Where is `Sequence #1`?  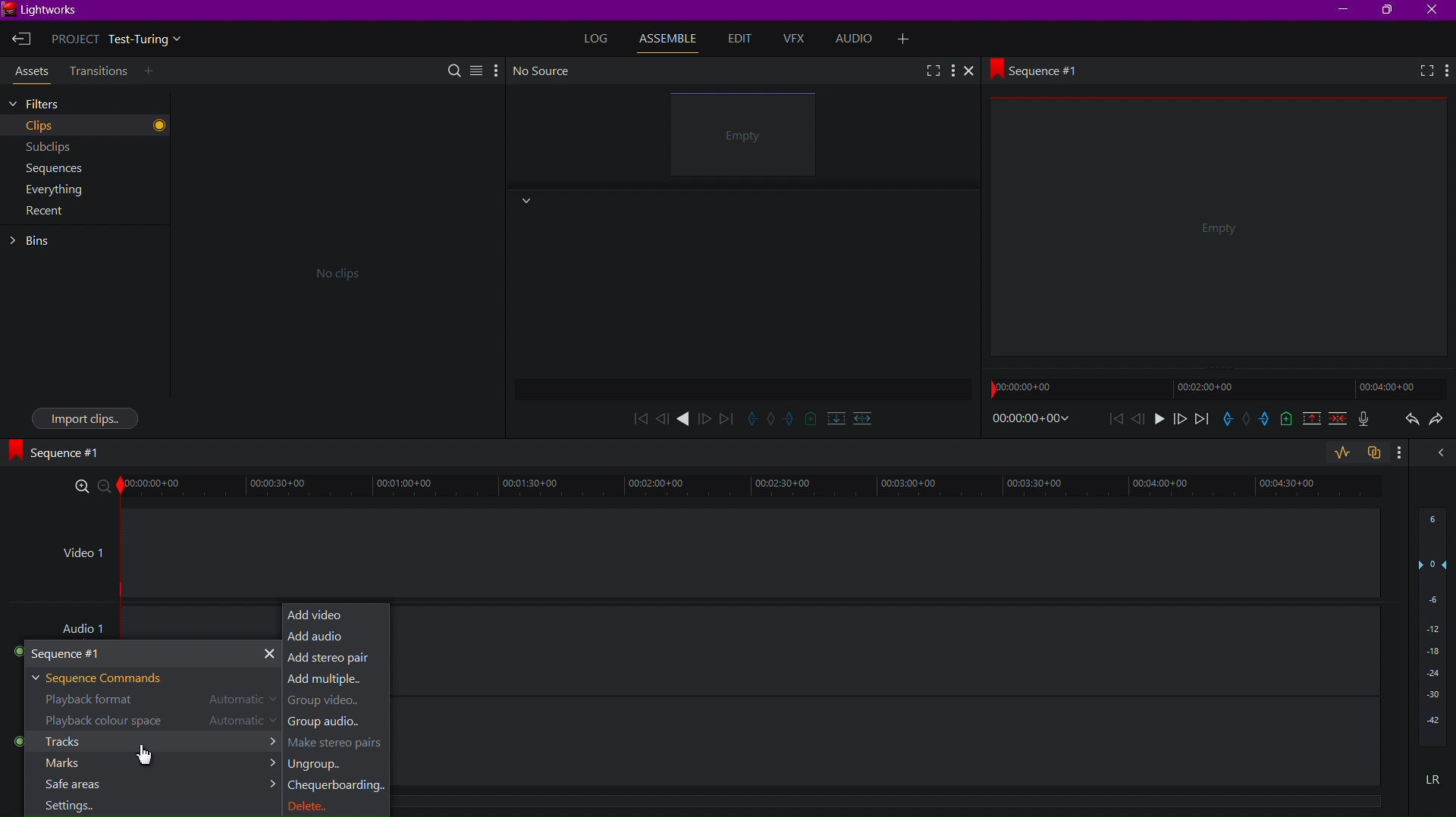 Sequence #1 is located at coordinates (61, 452).